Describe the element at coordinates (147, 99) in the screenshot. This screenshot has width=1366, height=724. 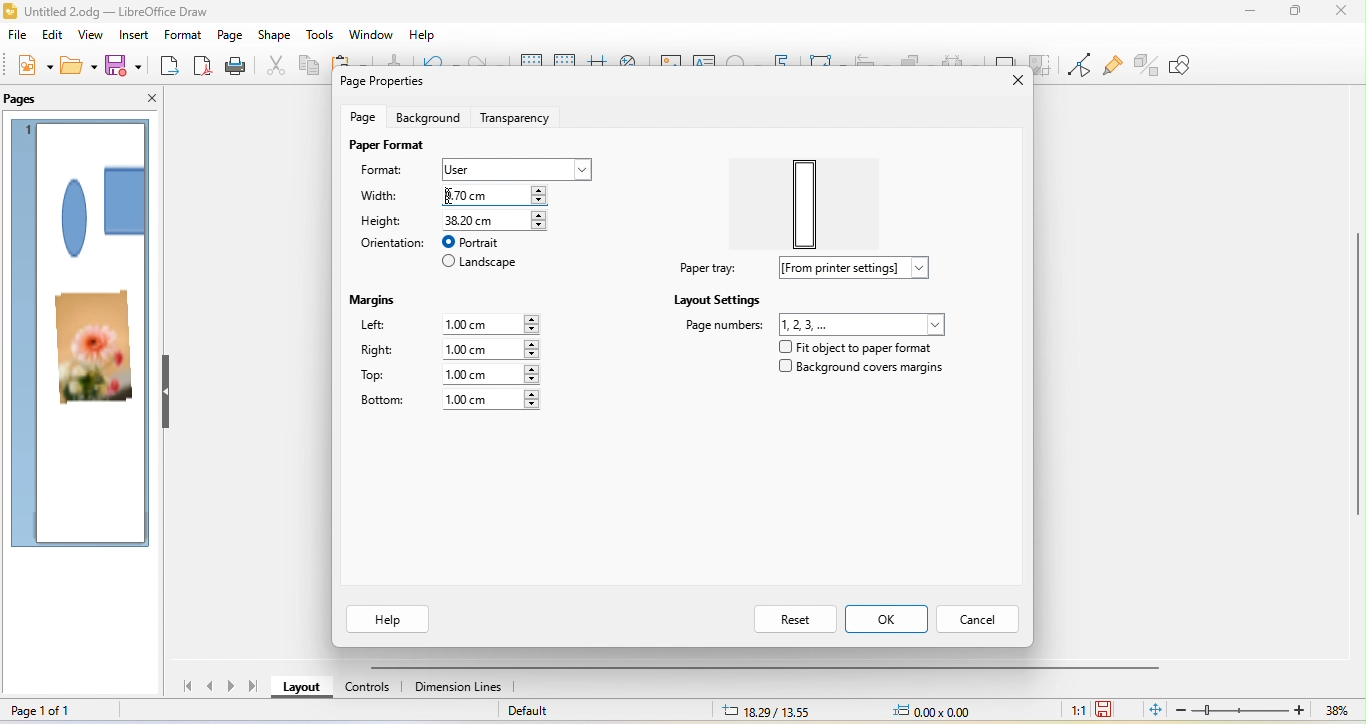
I see `close` at that location.